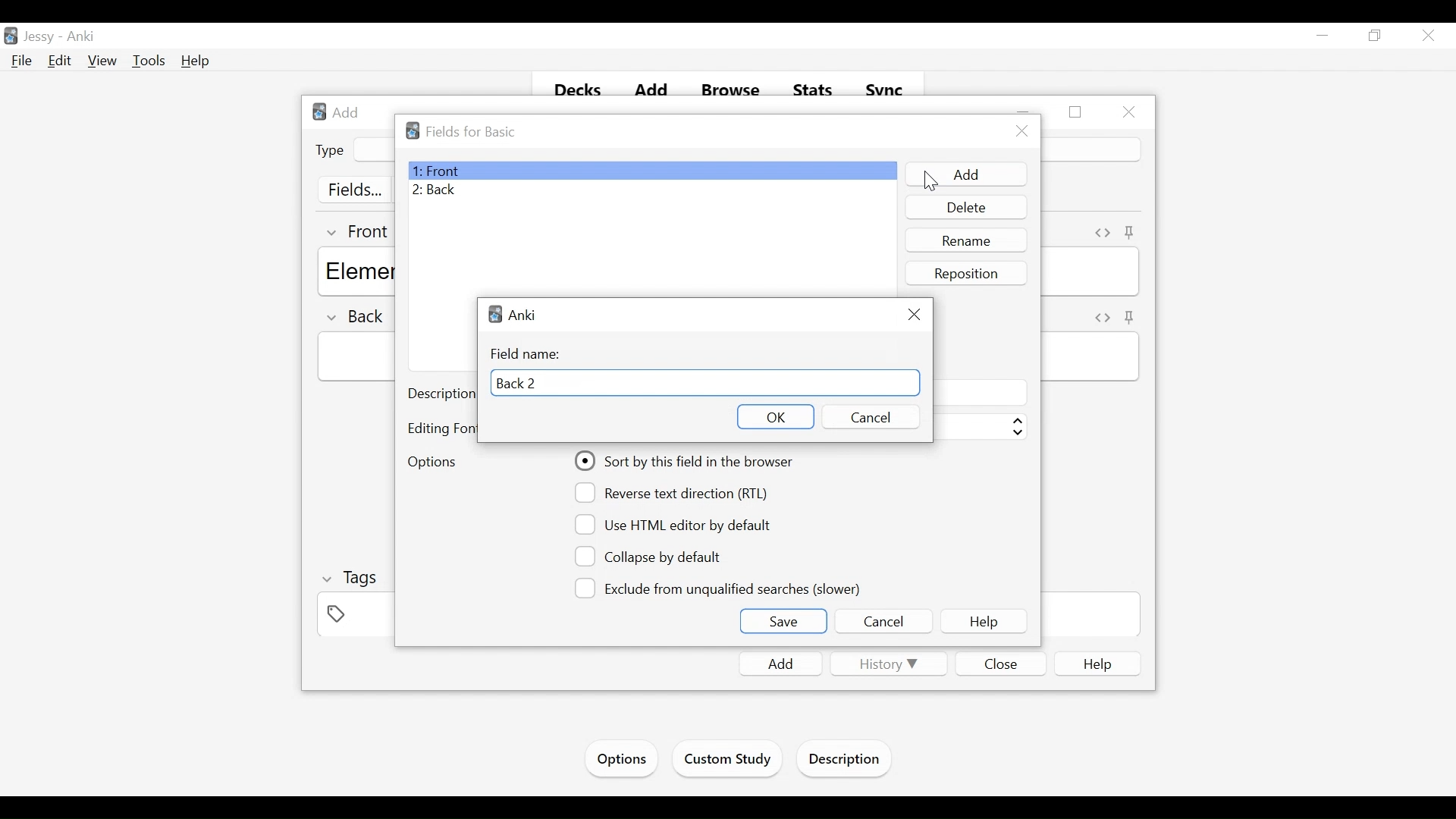 The width and height of the screenshot is (1456, 819). Describe the element at coordinates (1373, 36) in the screenshot. I see `Restore` at that location.